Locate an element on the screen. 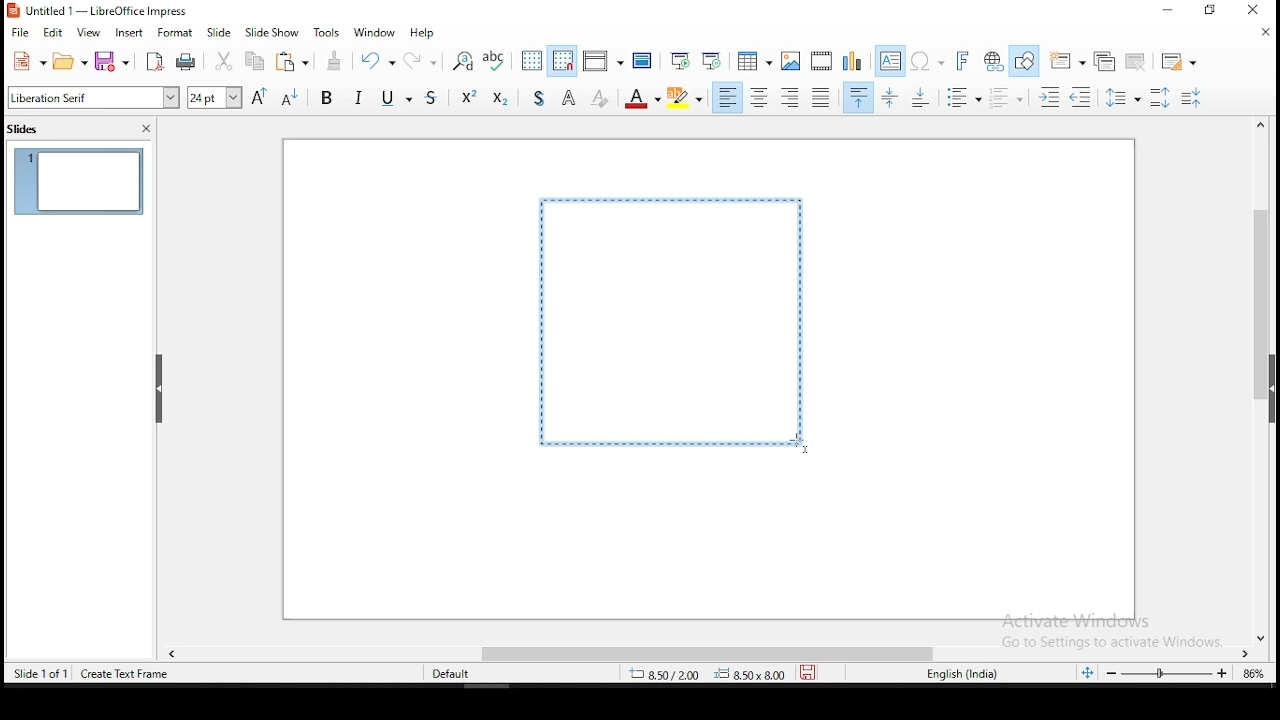 Image resolution: width=1280 pixels, height=720 pixels. align top is located at coordinates (856, 99).